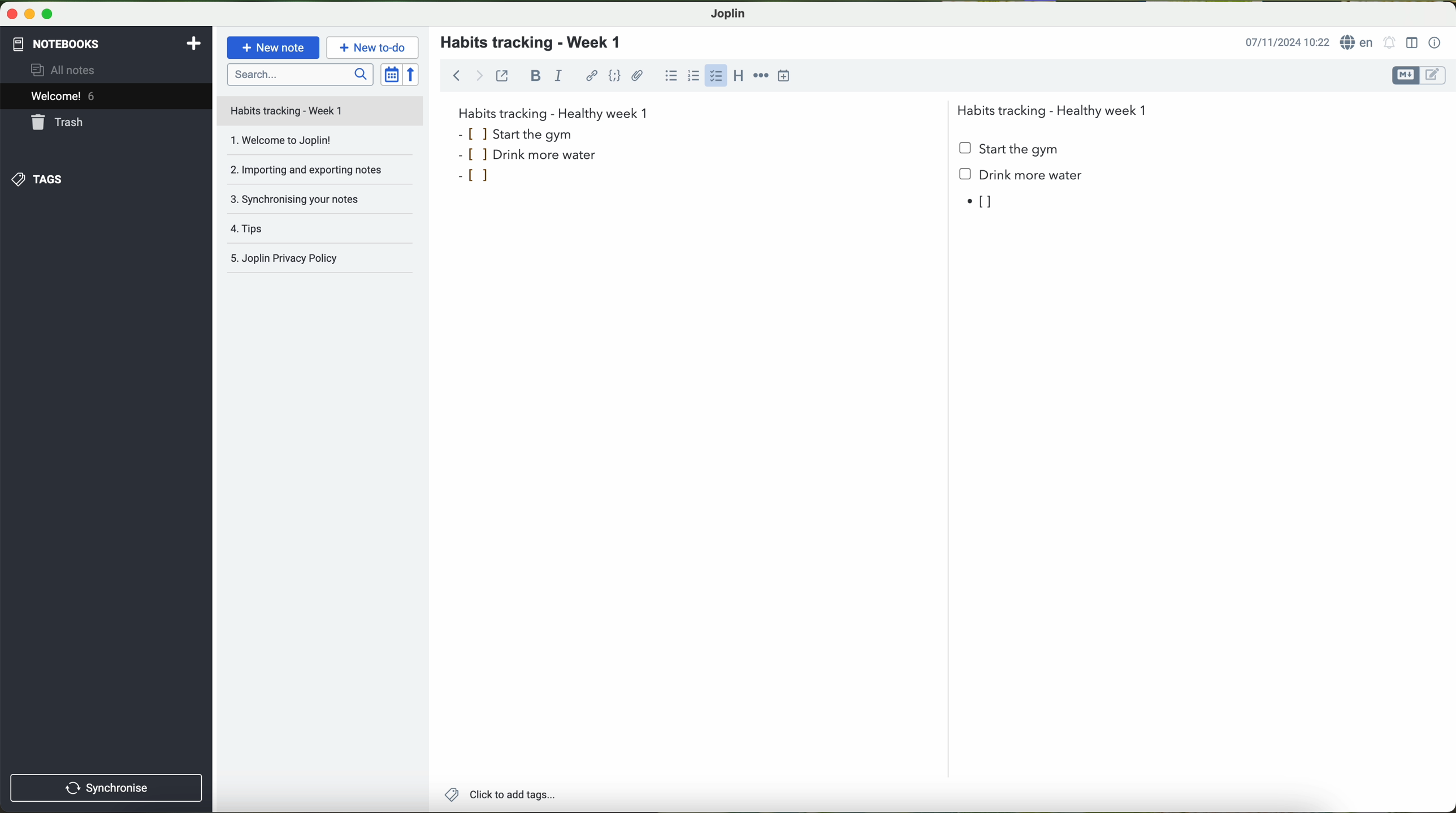 This screenshot has height=813, width=1456. I want to click on note properties, so click(1436, 44).